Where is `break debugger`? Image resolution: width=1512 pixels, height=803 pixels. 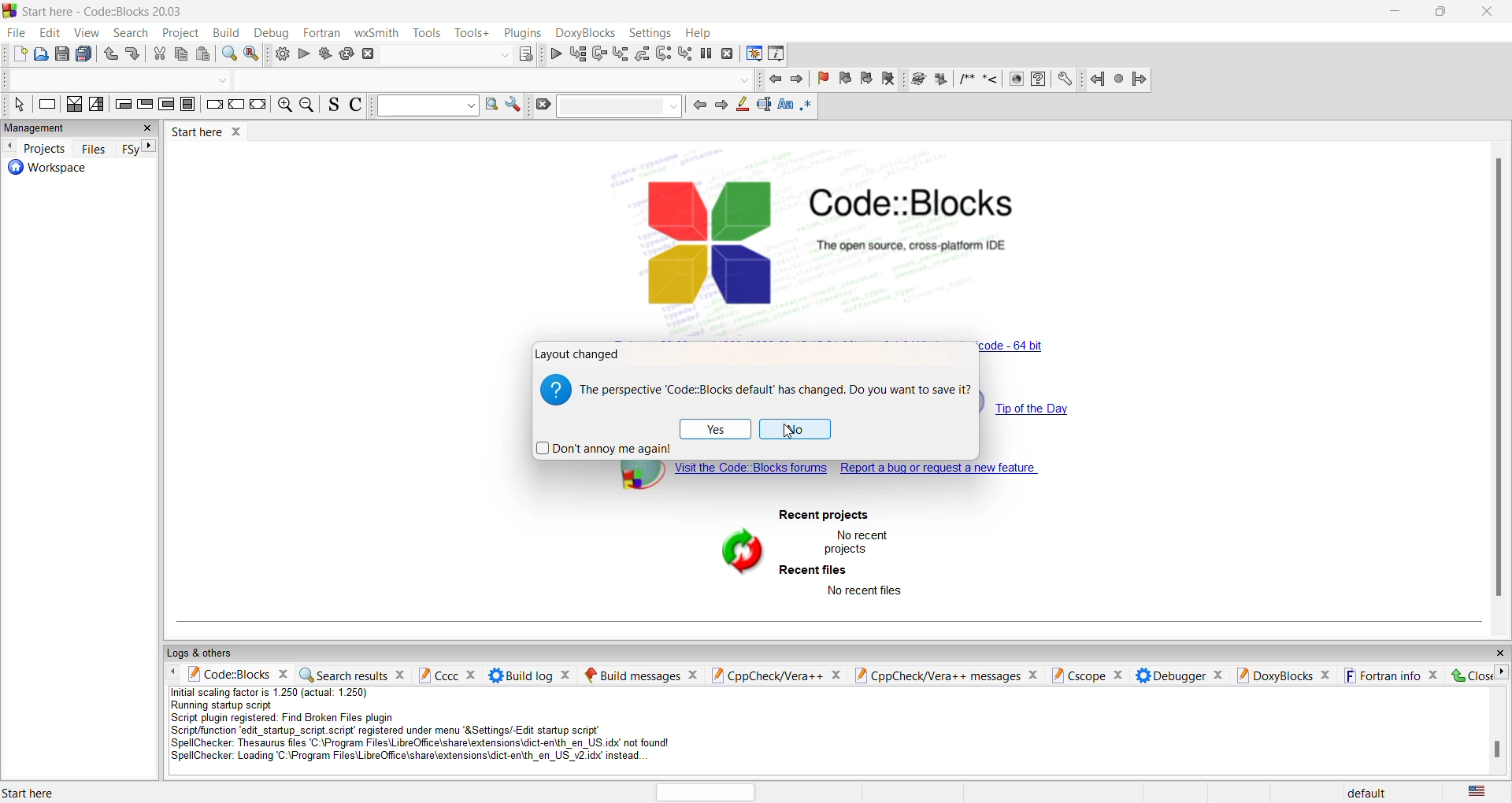 break debugger is located at coordinates (707, 53).